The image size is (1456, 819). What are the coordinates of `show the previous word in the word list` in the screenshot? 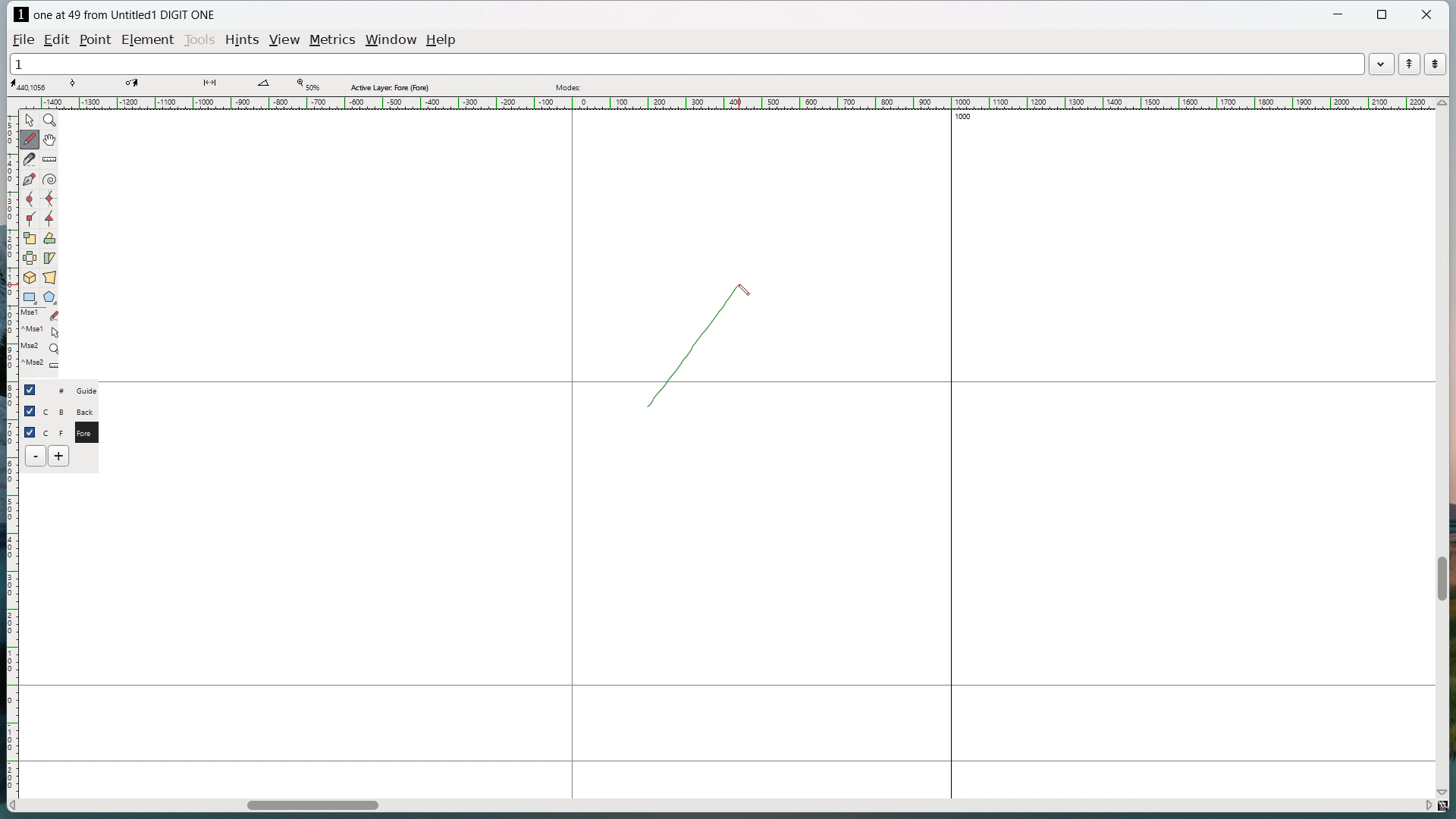 It's located at (1409, 64).